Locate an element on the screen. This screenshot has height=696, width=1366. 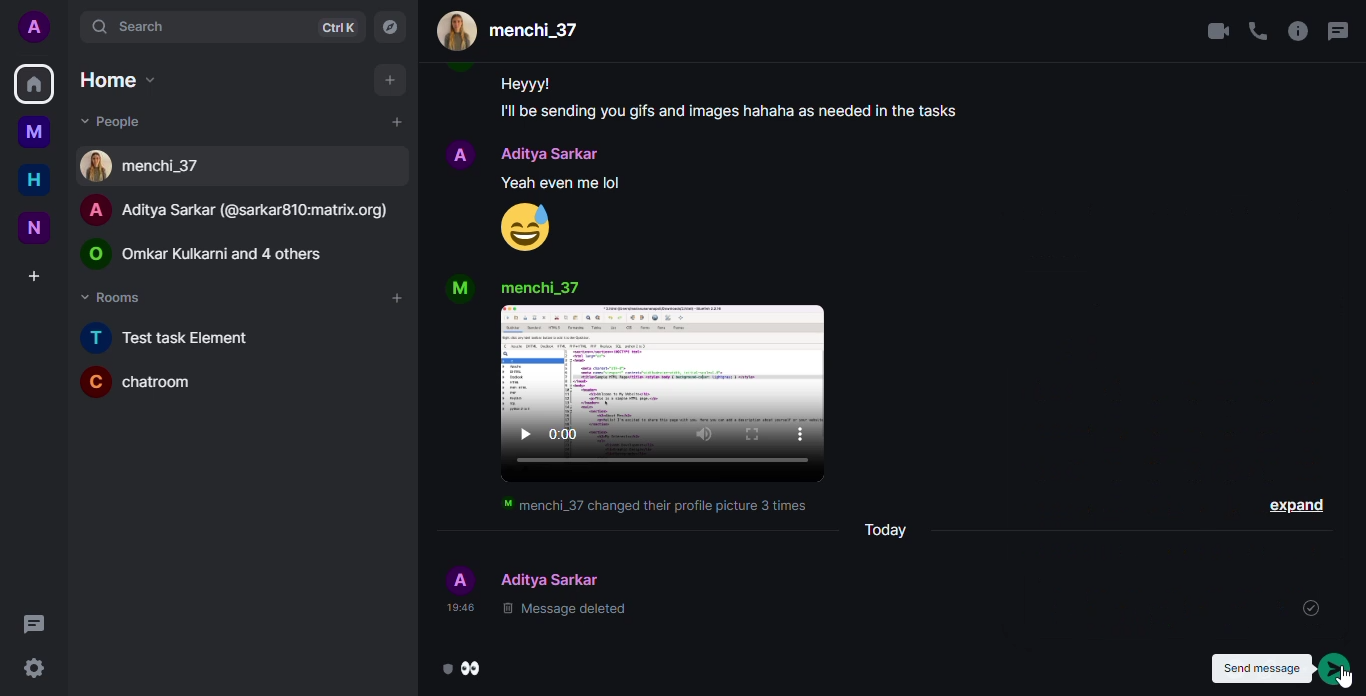
Test task element is located at coordinates (179, 337).